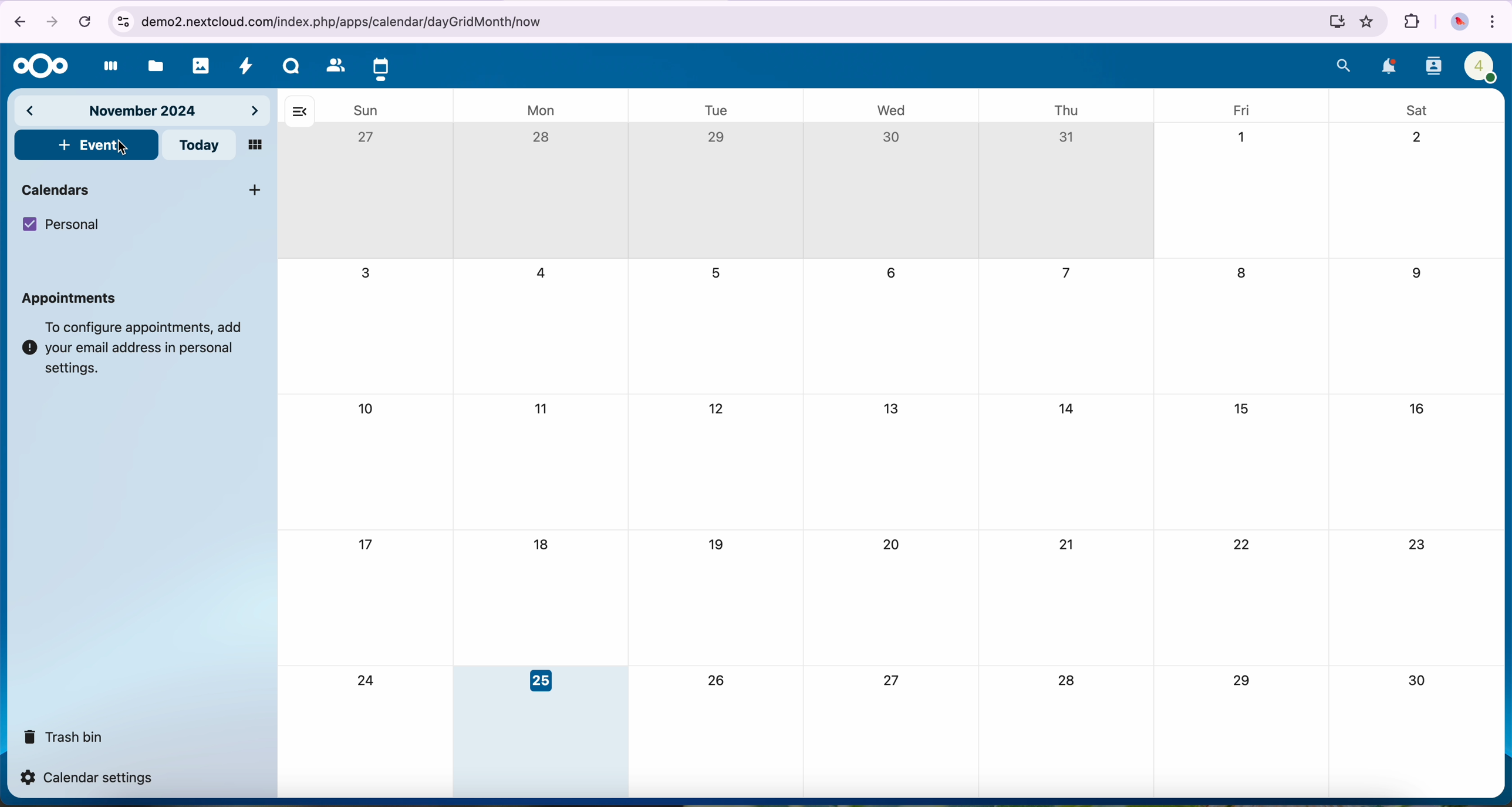  What do you see at coordinates (50, 23) in the screenshot?
I see `navigate foward` at bounding box center [50, 23].